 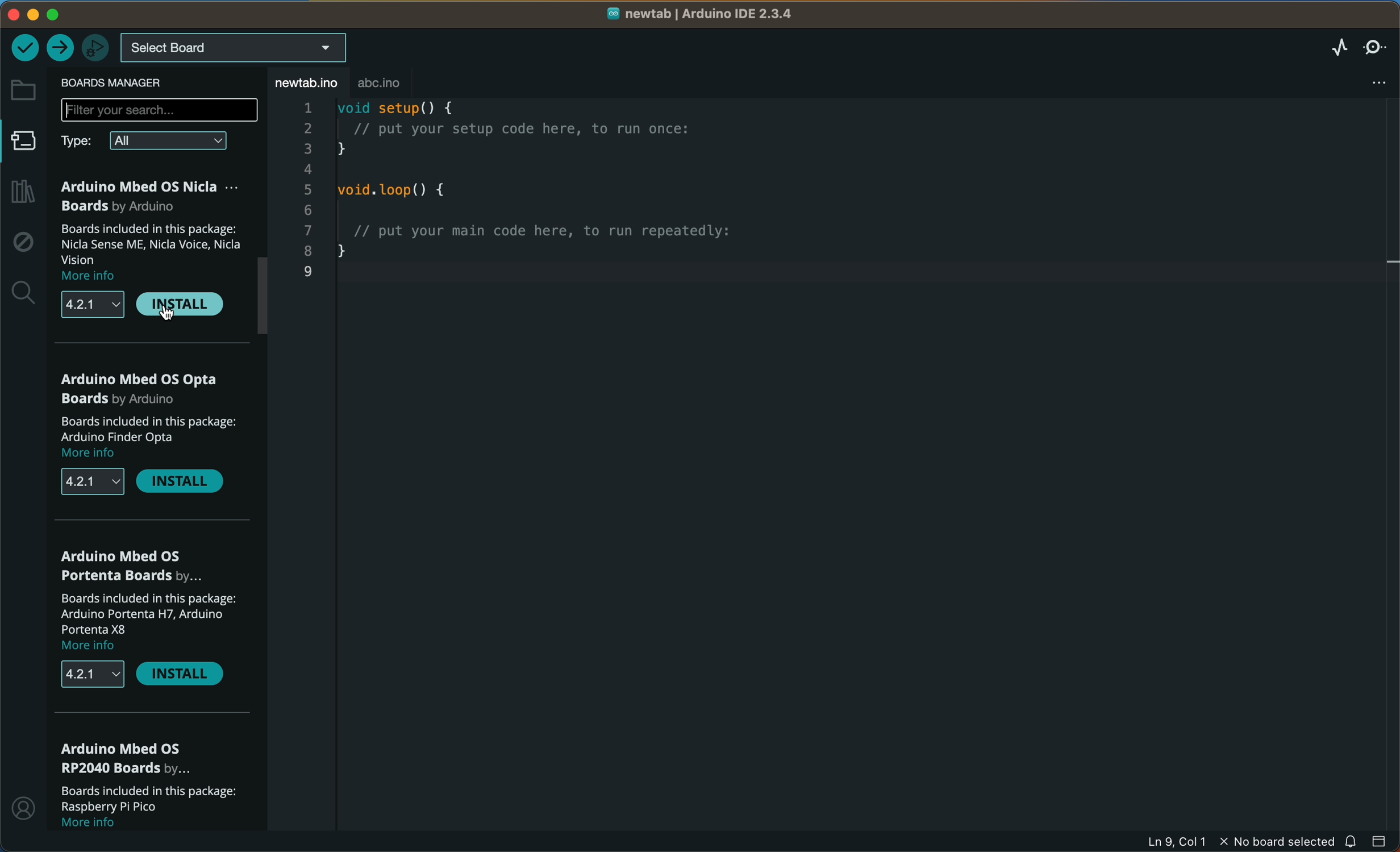 What do you see at coordinates (130, 564) in the screenshot?
I see `portenta boards` at bounding box center [130, 564].